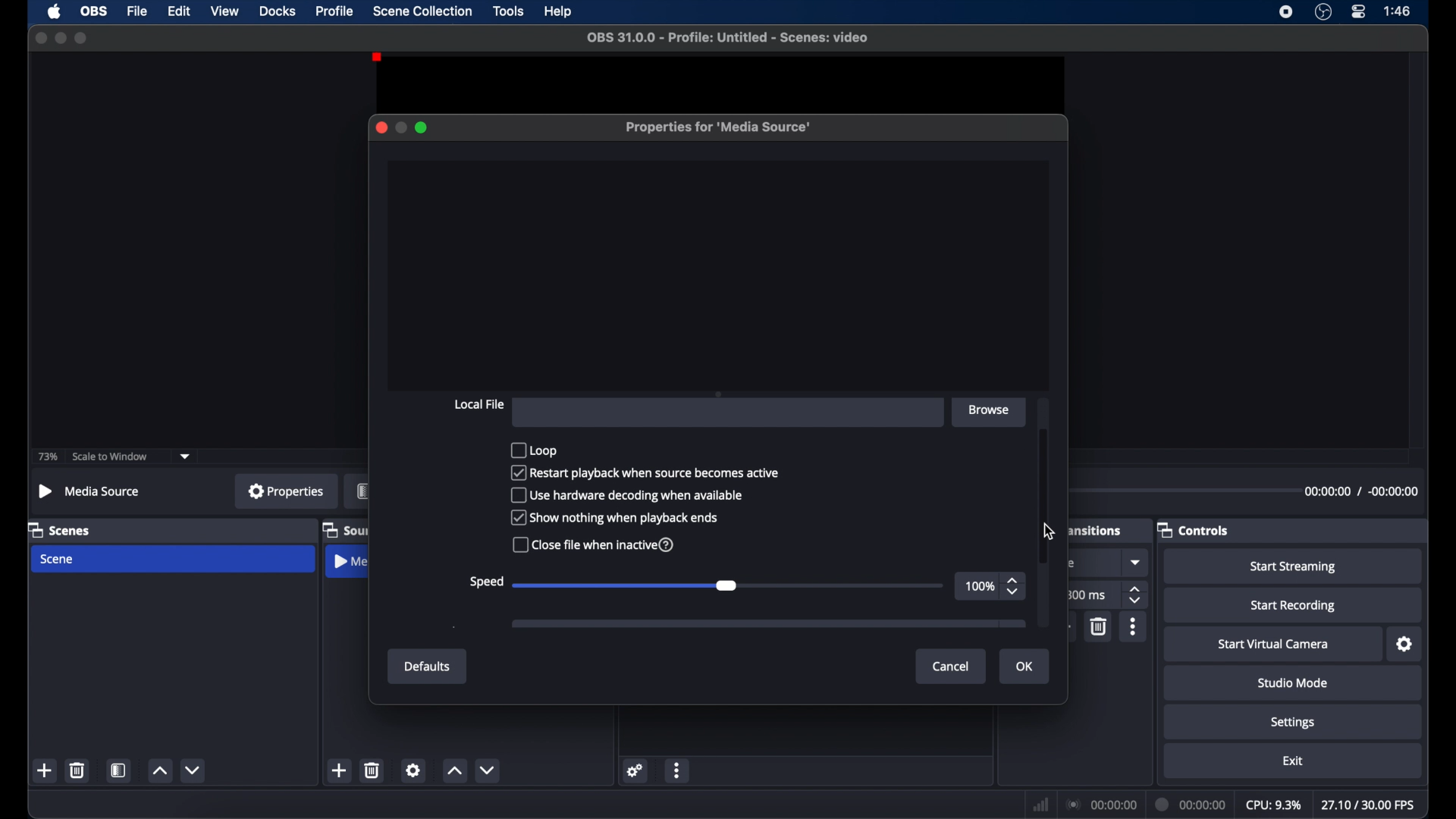 The height and width of the screenshot is (819, 1456). Describe the element at coordinates (428, 667) in the screenshot. I see `defaults` at that location.